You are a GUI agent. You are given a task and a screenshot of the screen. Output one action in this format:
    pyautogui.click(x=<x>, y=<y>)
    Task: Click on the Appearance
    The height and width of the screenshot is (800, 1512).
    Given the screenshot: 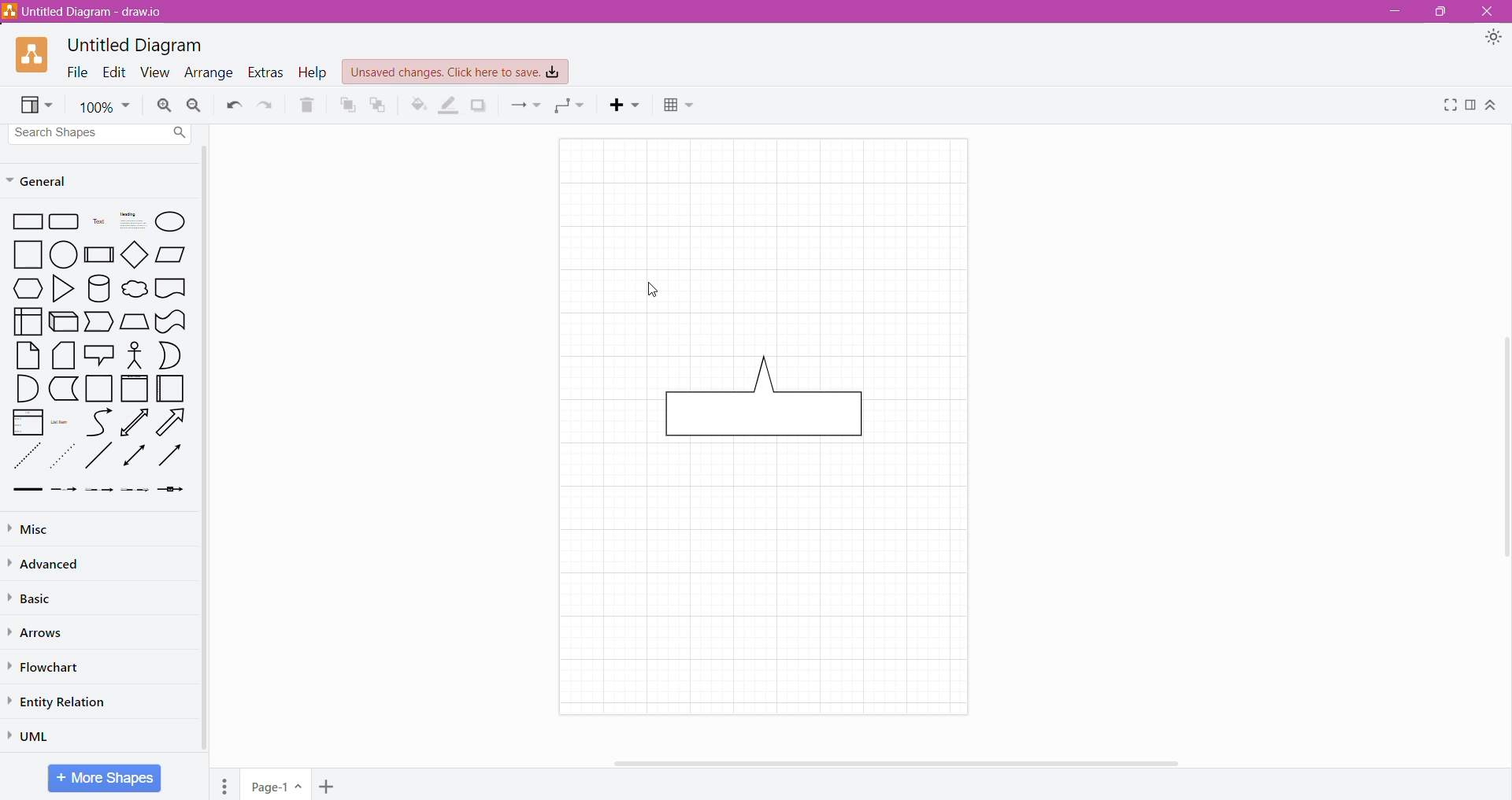 What is the action you would take?
    pyautogui.click(x=1493, y=39)
    